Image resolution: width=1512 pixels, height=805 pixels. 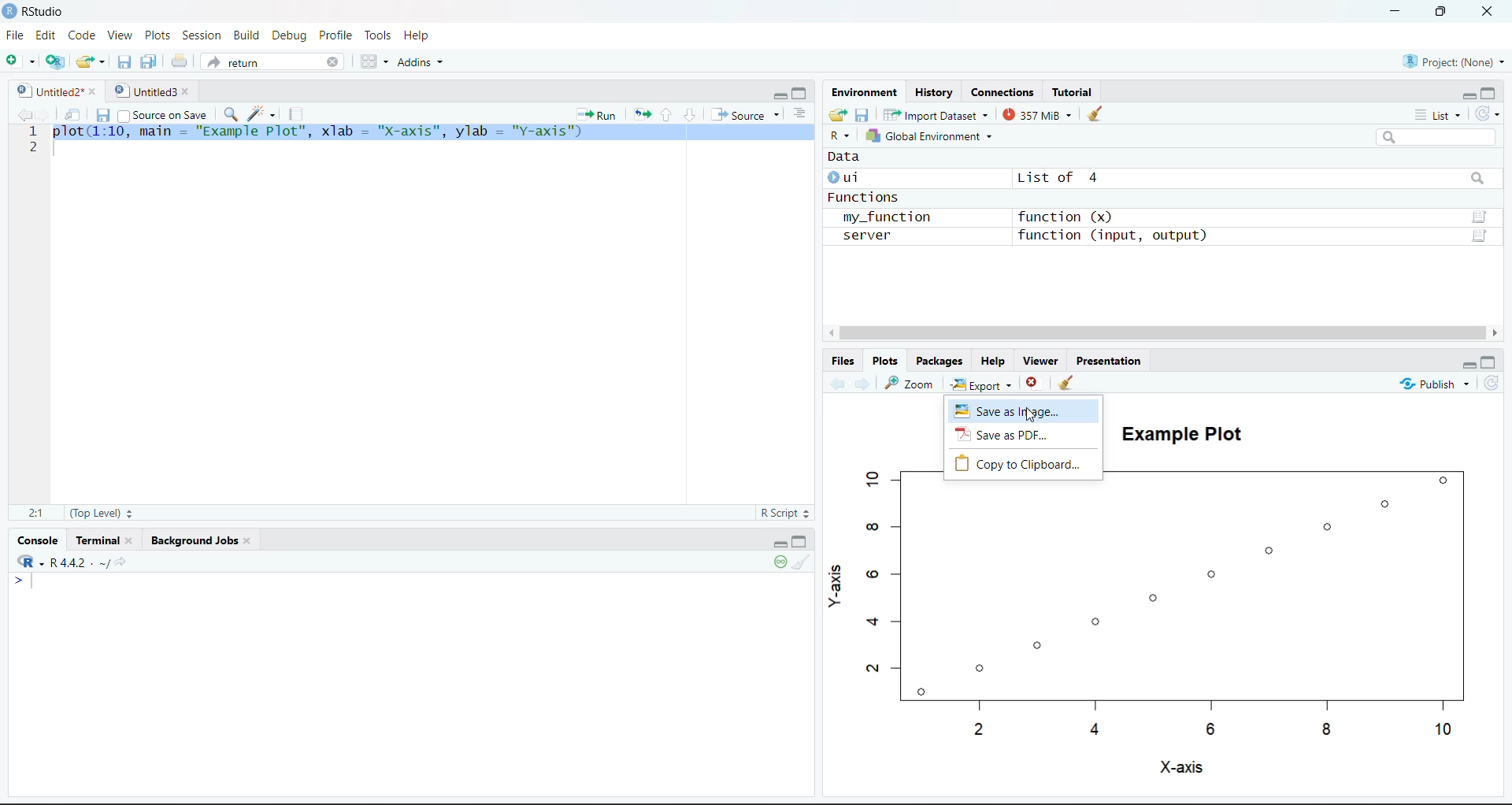 What do you see at coordinates (1496, 332) in the screenshot?
I see `Right` at bounding box center [1496, 332].